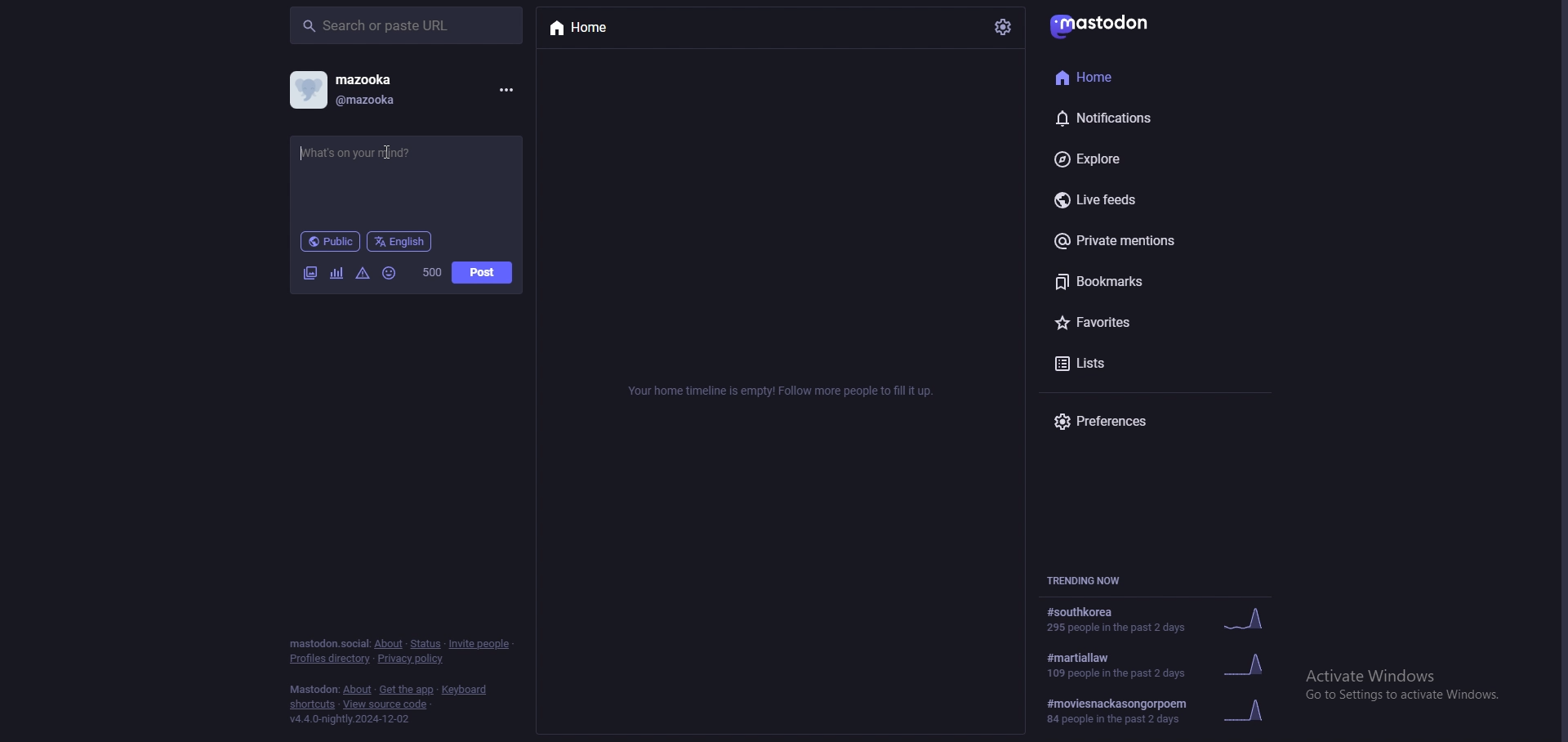  What do you see at coordinates (390, 273) in the screenshot?
I see `emoji` at bounding box center [390, 273].